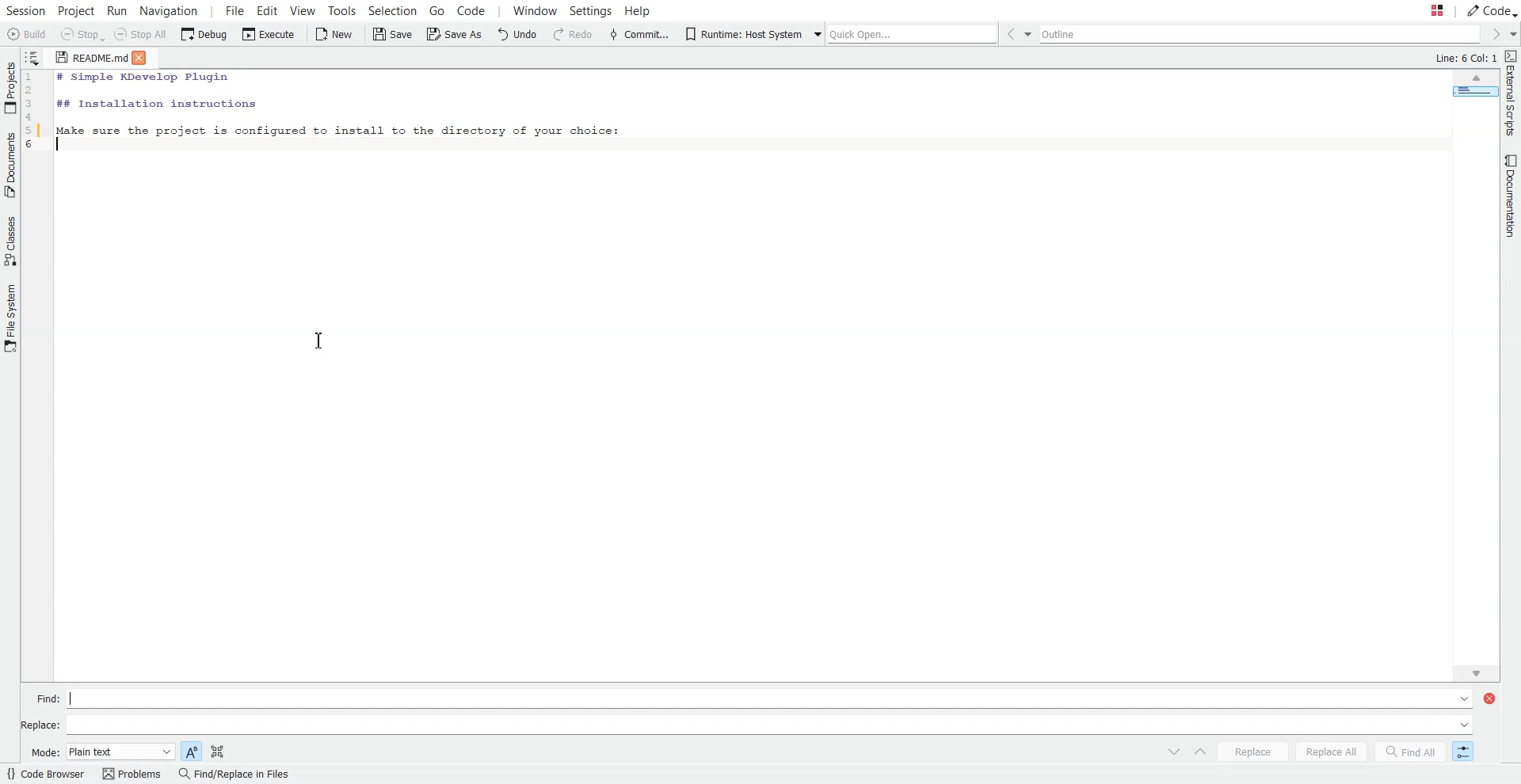 Image resolution: width=1521 pixels, height=784 pixels. I want to click on Go, so click(436, 10).